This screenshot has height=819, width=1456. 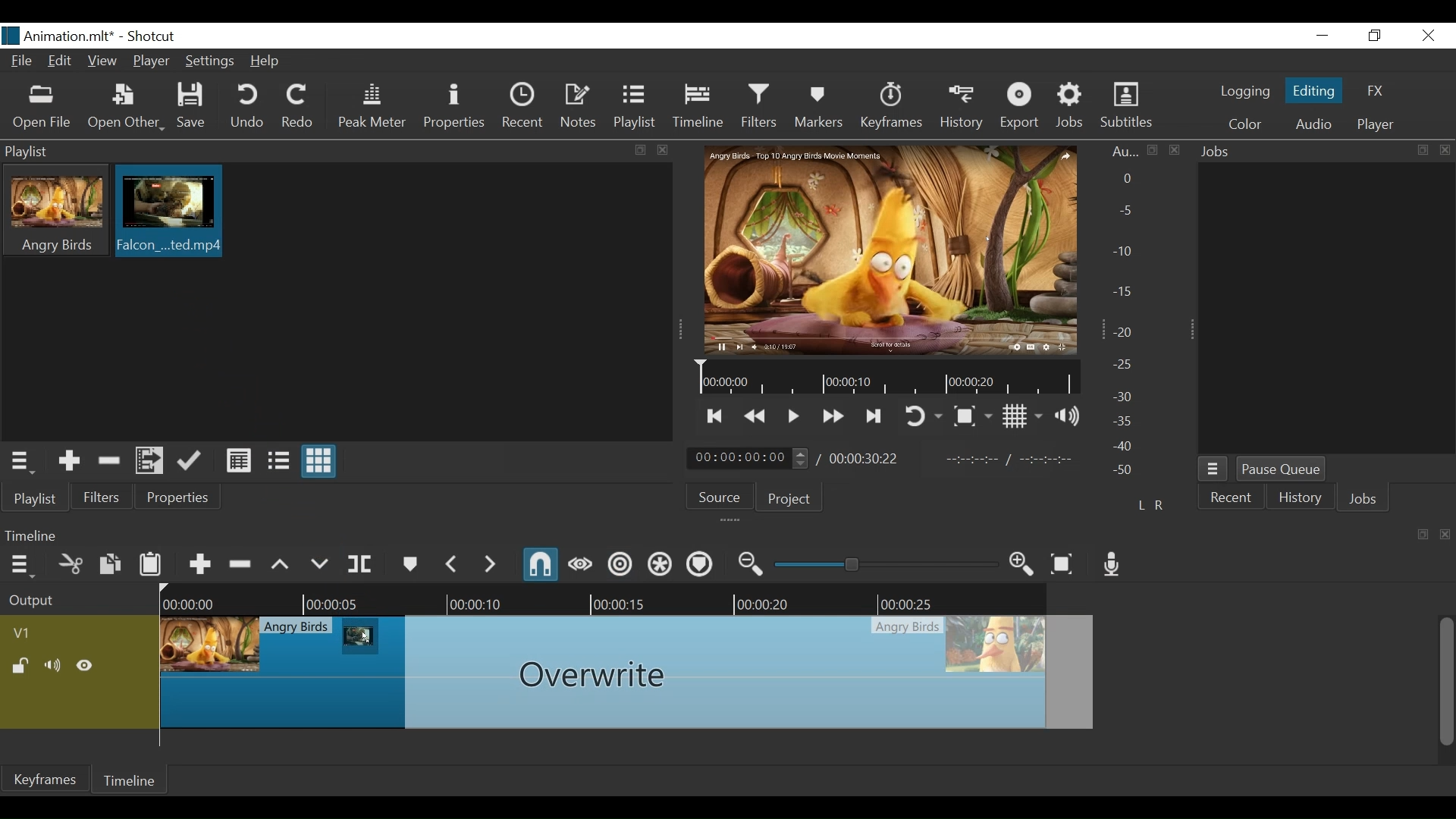 What do you see at coordinates (319, 561) in the screenshot?
I see `Overwrite` at bounding box center [319, 561].